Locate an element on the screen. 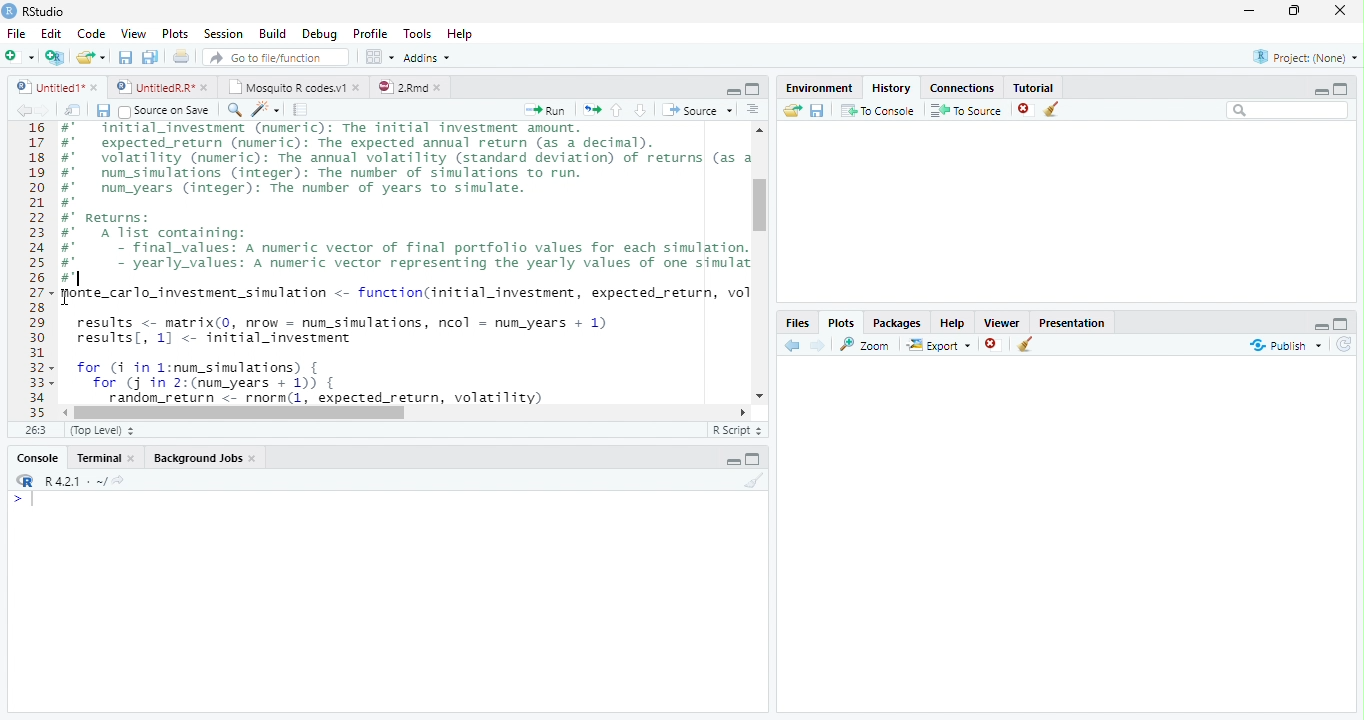 The width and height of the screenshot is (1364, 720). Load history from an existing file is located at coordinates (791, 111).